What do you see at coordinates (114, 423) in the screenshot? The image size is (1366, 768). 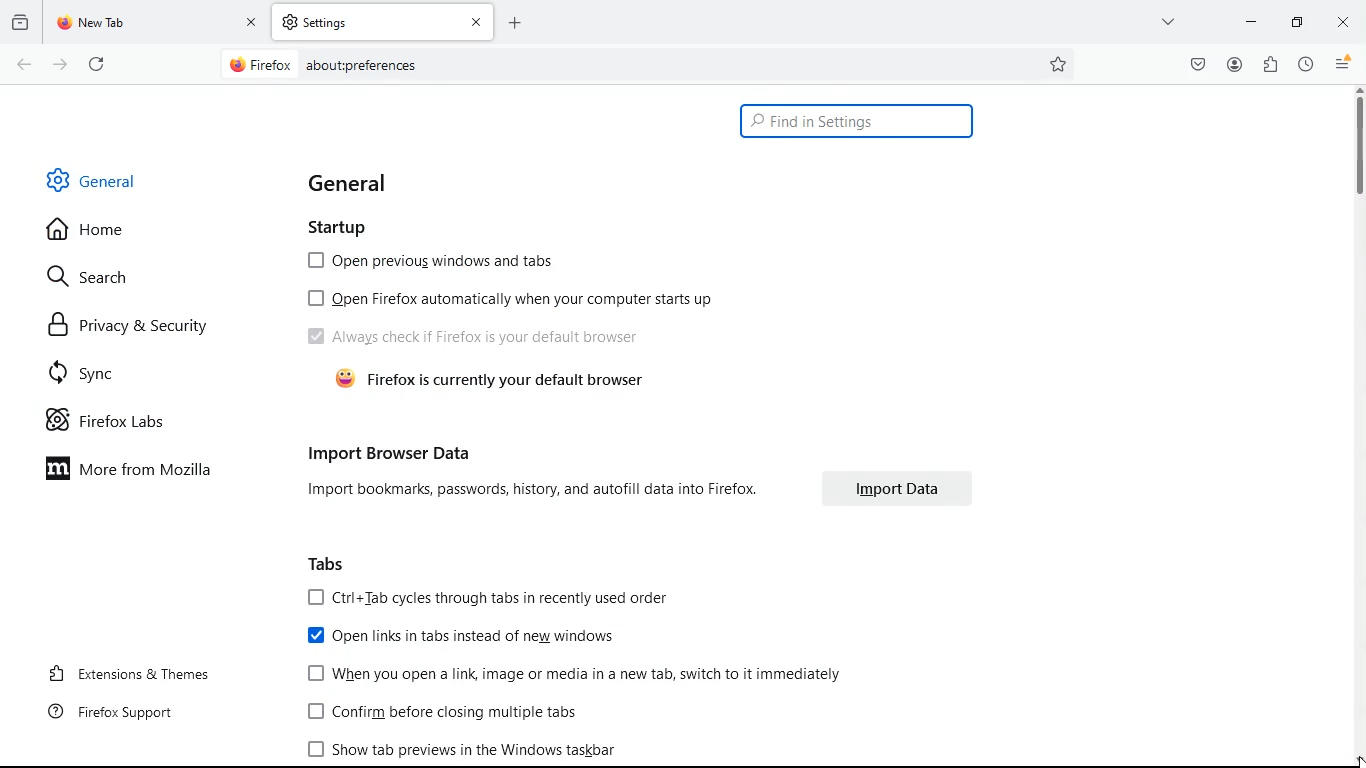 I see `firefox labs` at bounding box center [114, 423].